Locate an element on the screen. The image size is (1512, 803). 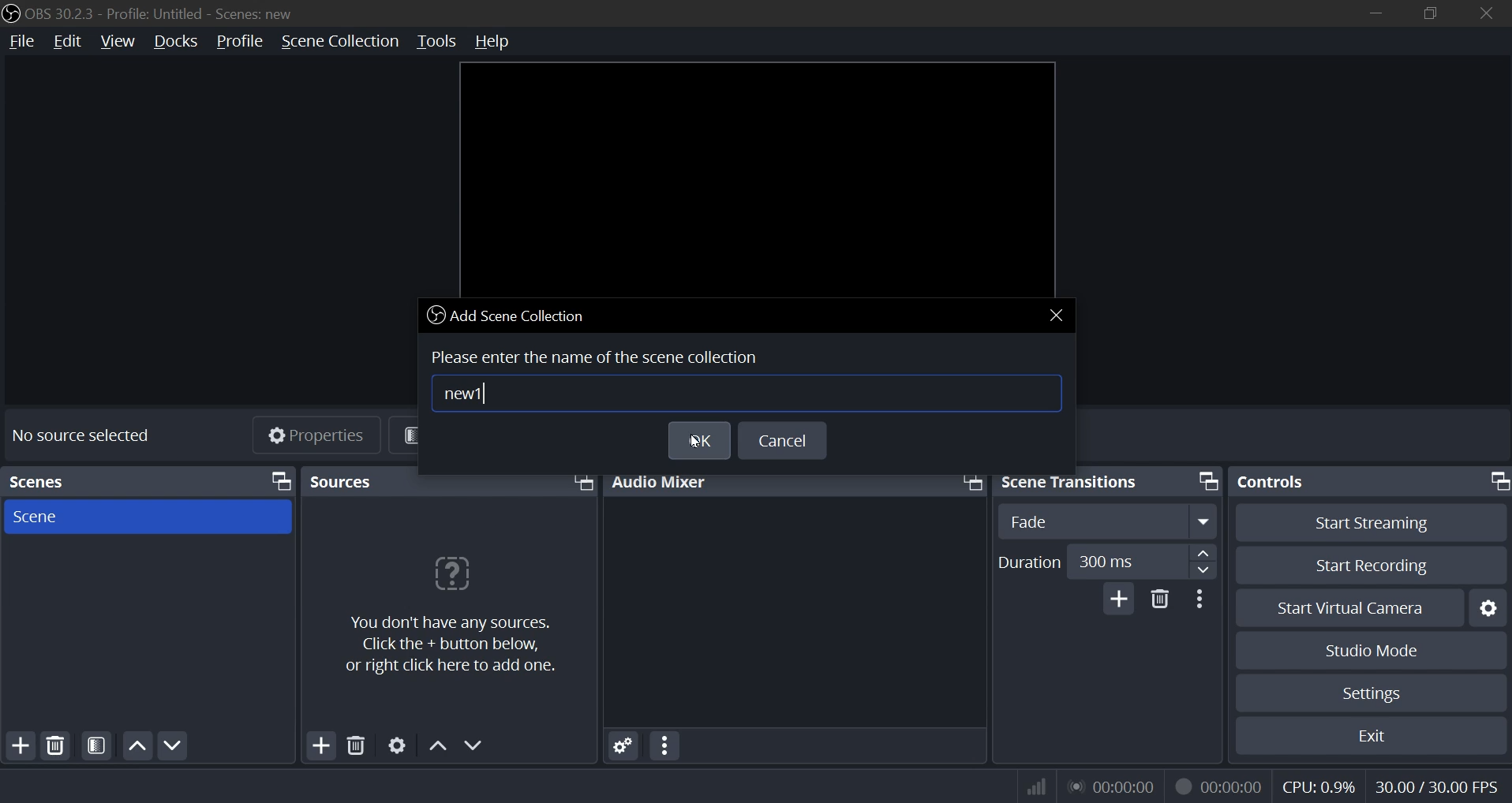
bring front is located at coordinates (1498, 481).